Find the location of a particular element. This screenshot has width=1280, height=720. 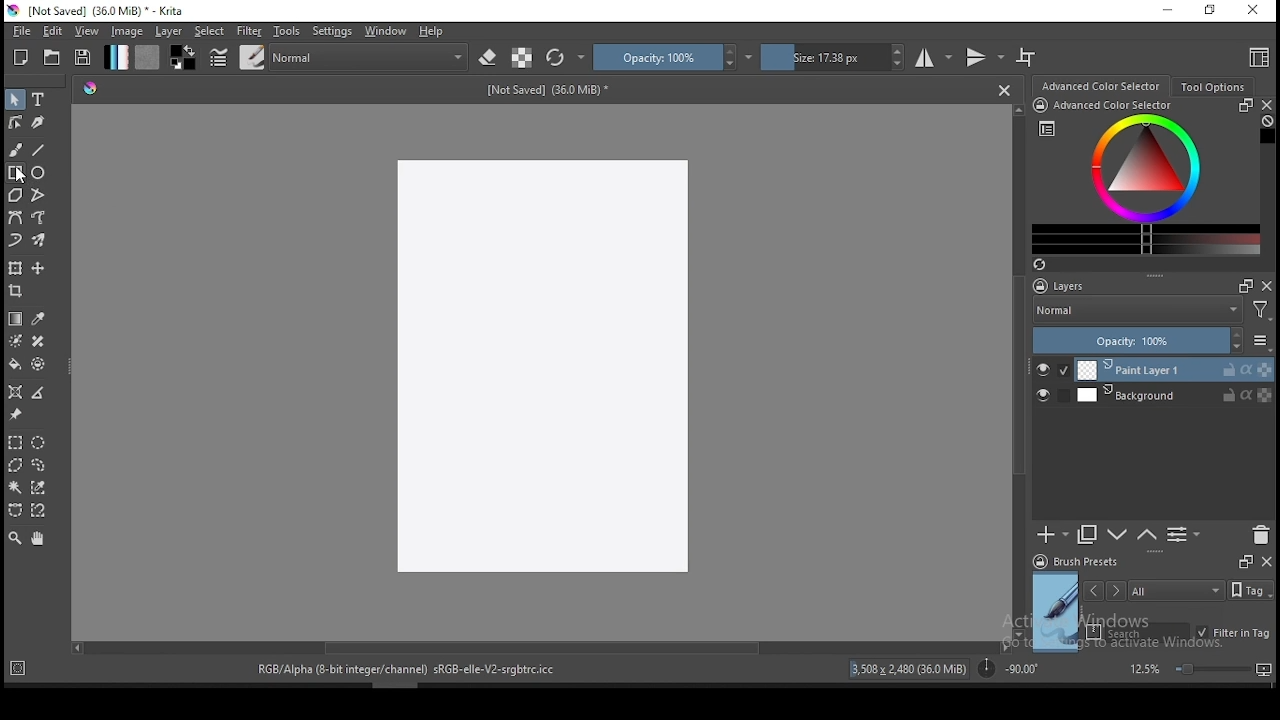

elliptical selection tool is located at coordinates (38, 443).